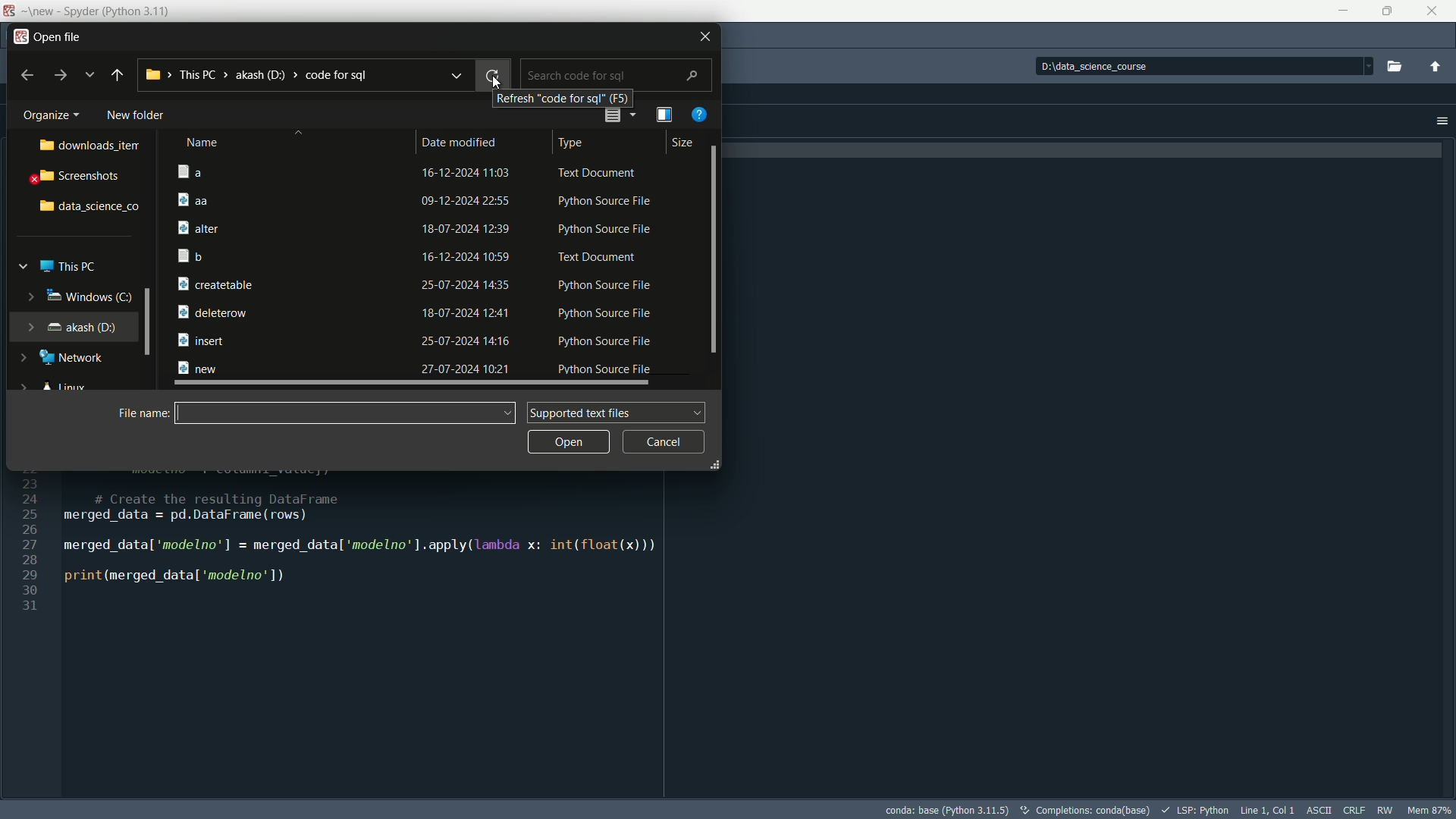 The width and height of the screenshot is (1456, 819). Describe the element at coordinates (1438, 68) in the screenshot. I see `change to parent directory` at that location.